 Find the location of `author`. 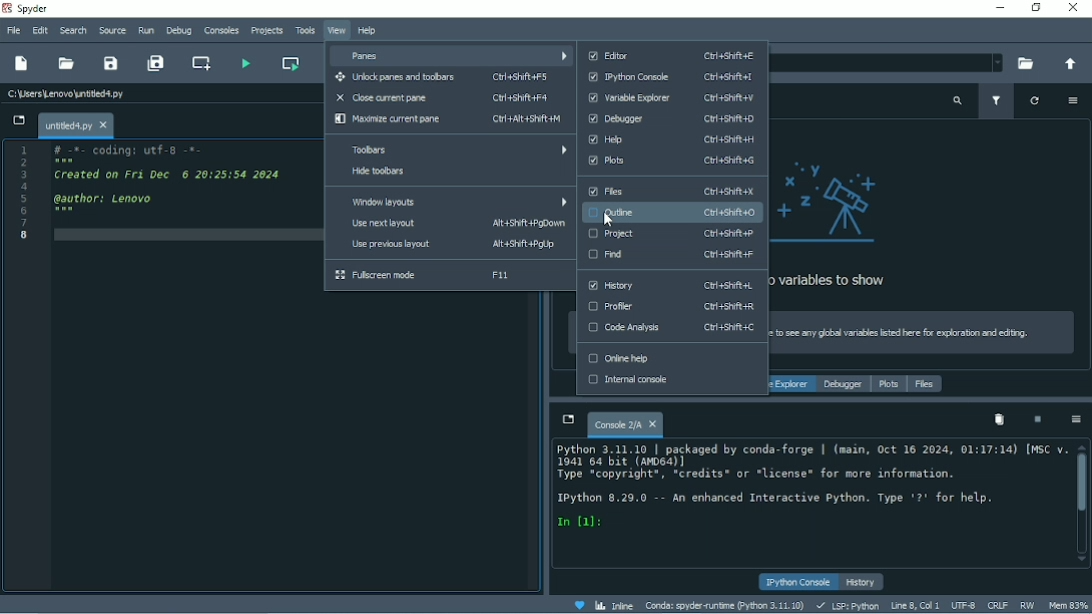

author is located at coordinates (103, 199).